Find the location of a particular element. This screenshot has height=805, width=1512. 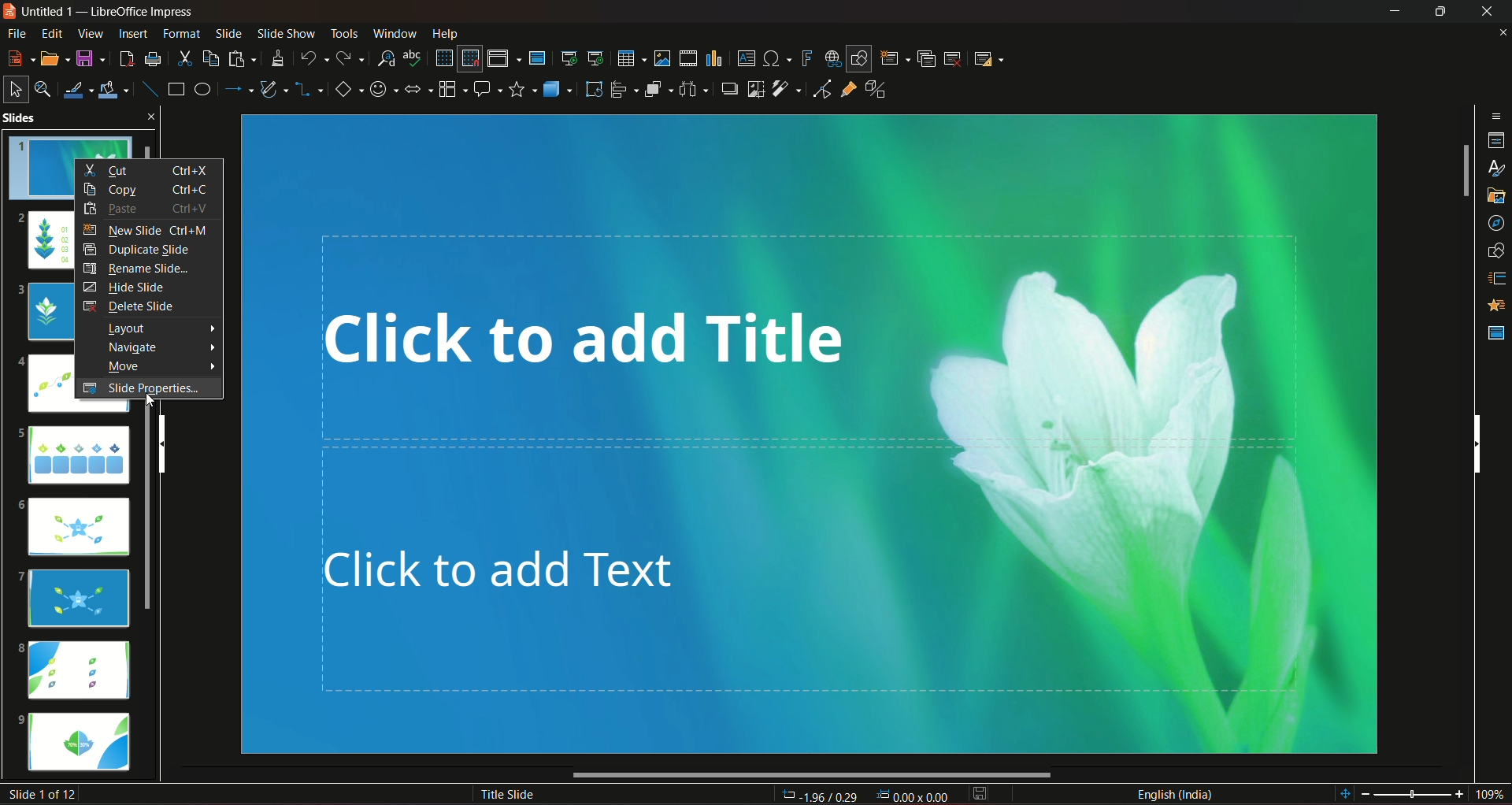

show draw functions is located at coordinates (858, 57).